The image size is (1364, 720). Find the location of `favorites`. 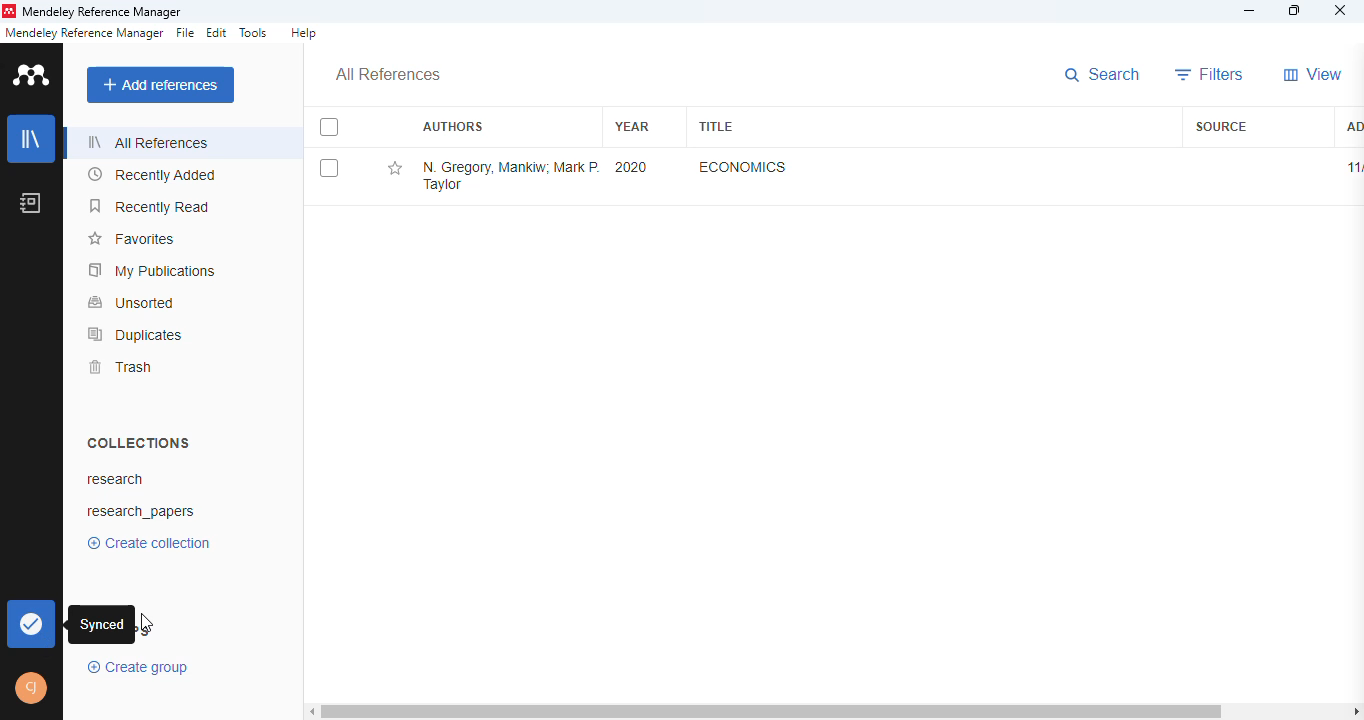

favorites is located at coordinates (132, 238).